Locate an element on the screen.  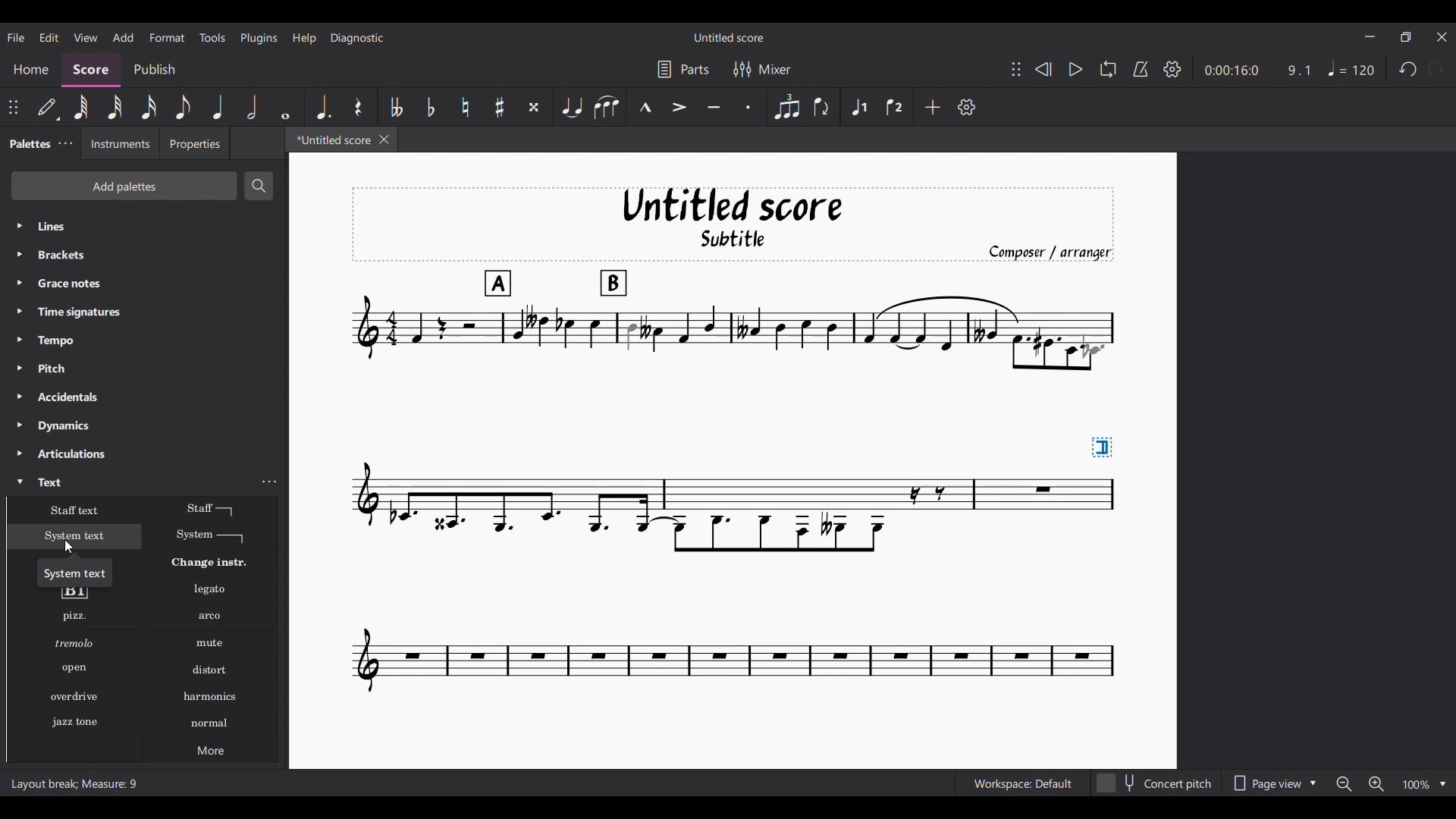
0:00:16:0 is located at coordinates (1232, 71).